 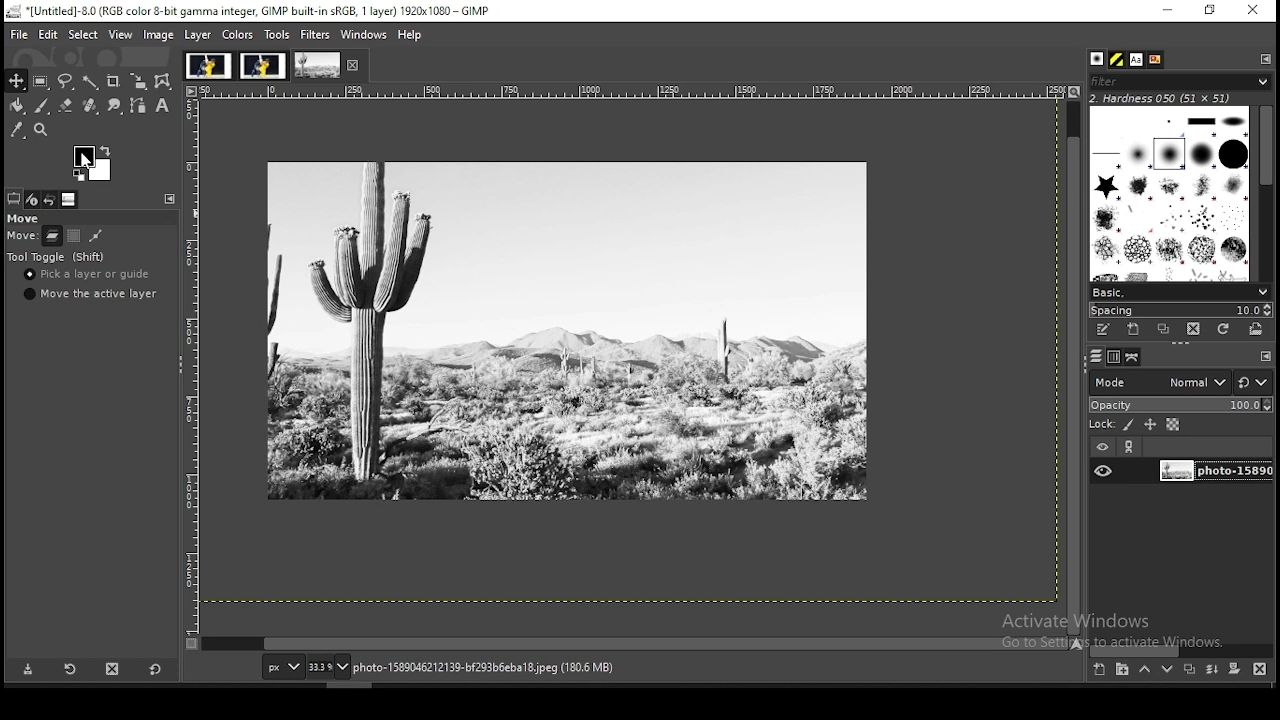 What do you see at coordinates (154, 669) in the screenshot?
I see `reset to defaults` at bounding box center [154, 669].